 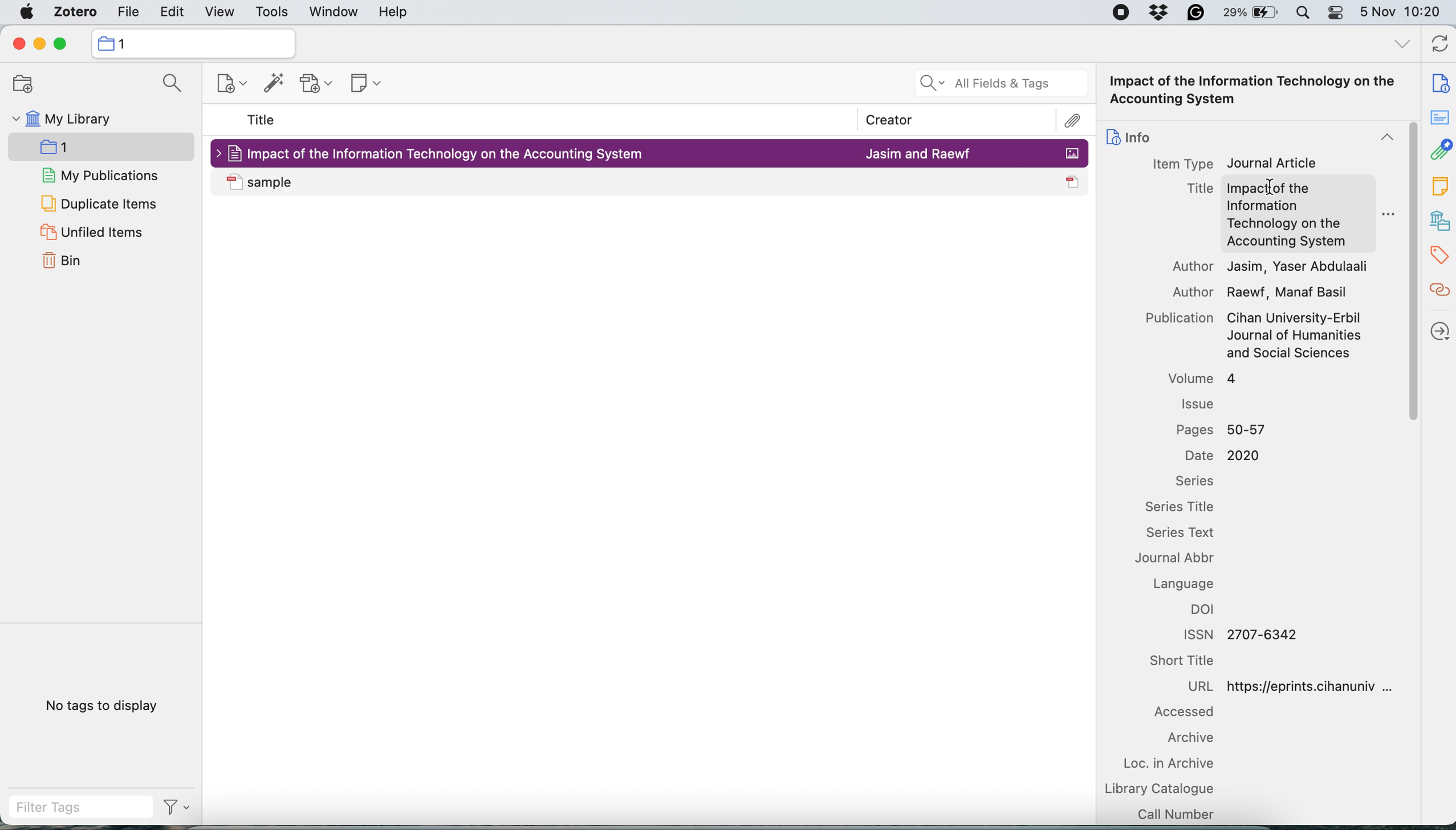 I want to click on abstract, so click(x=1439, y=118).